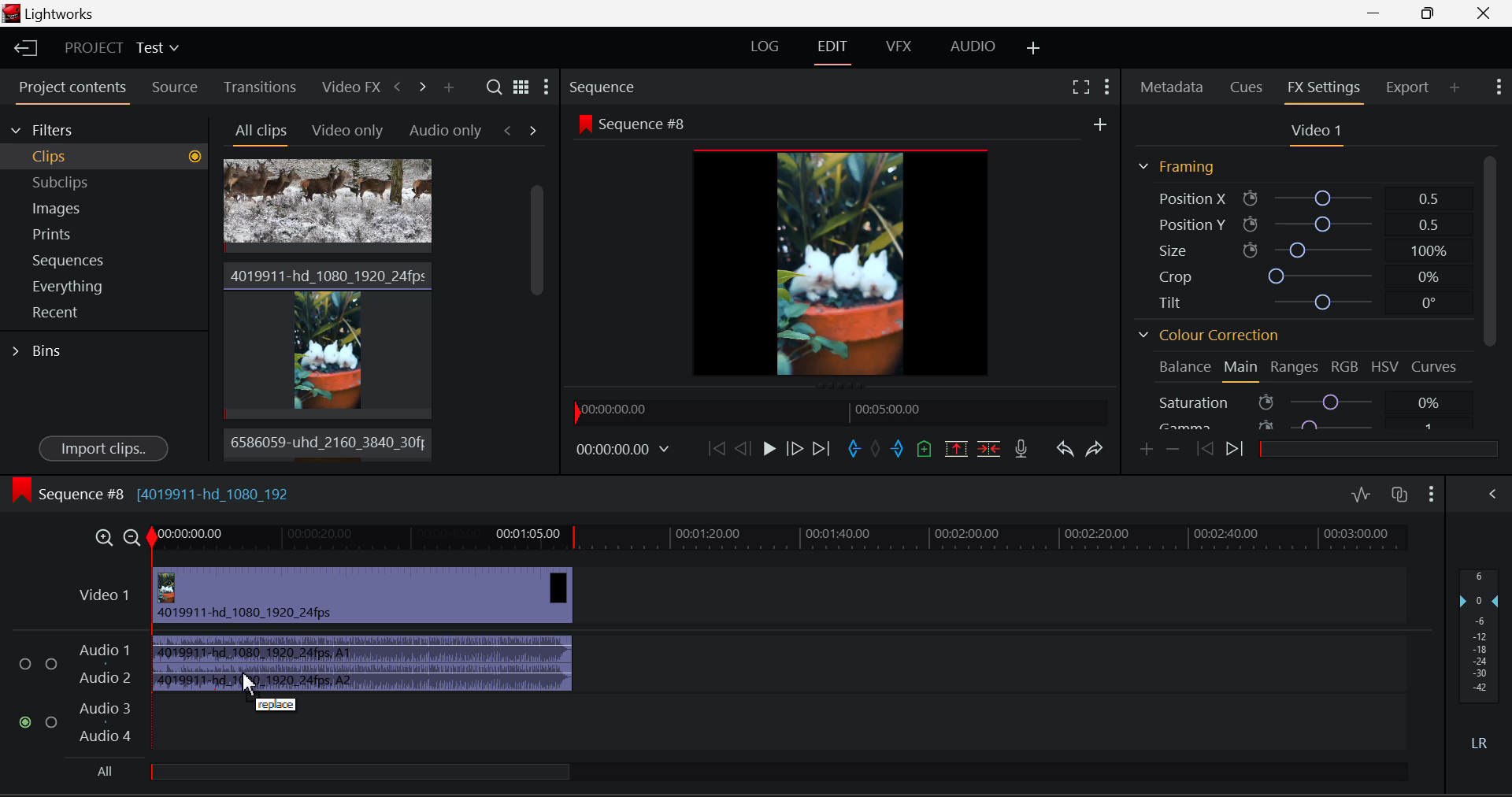  I want to click on Tilt, so click(1306, 301).